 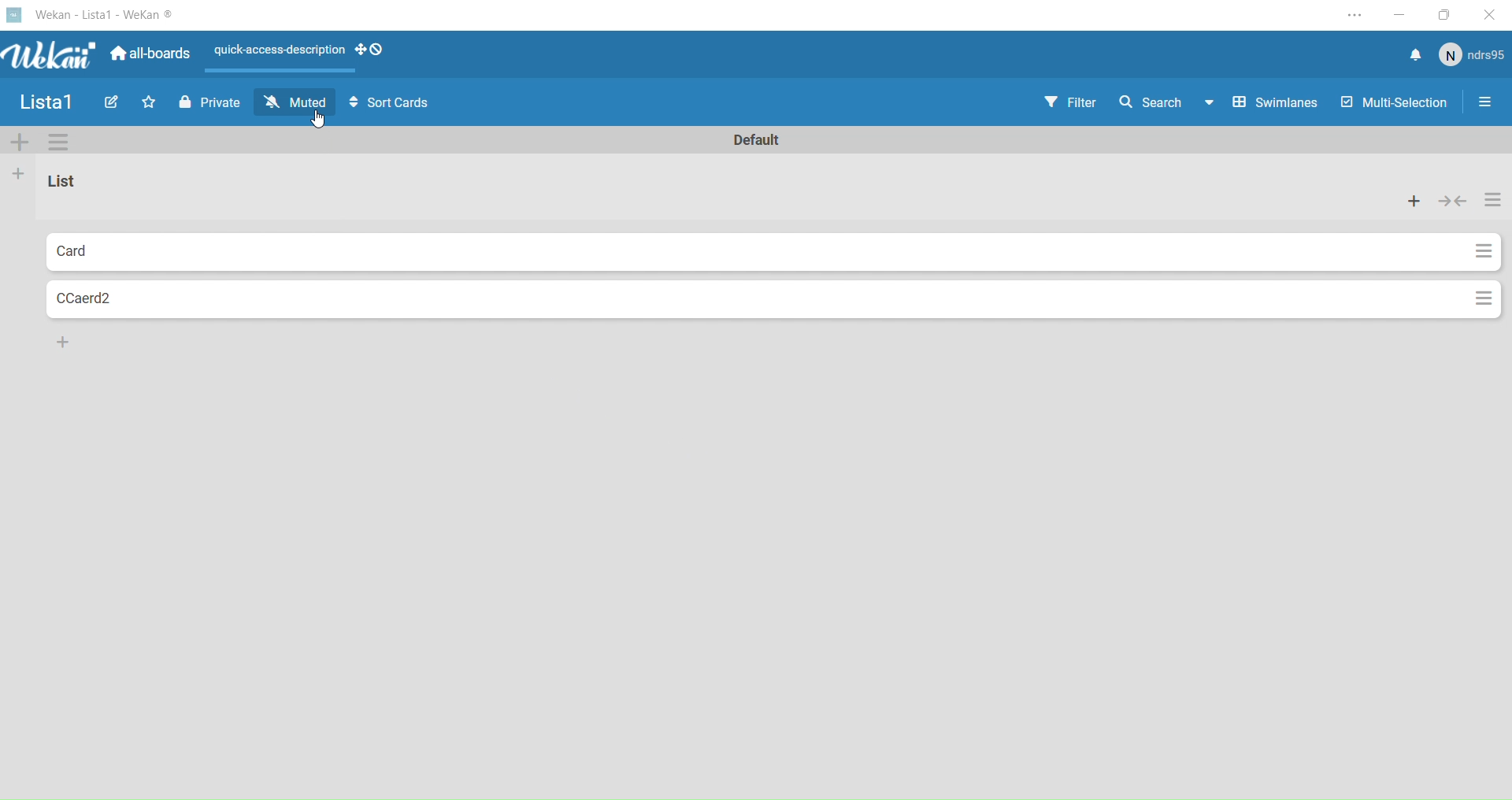 What do you see at coordinates (149, 103) in the screenshot?
I see `Favourites` at bounding box center [149, 103].